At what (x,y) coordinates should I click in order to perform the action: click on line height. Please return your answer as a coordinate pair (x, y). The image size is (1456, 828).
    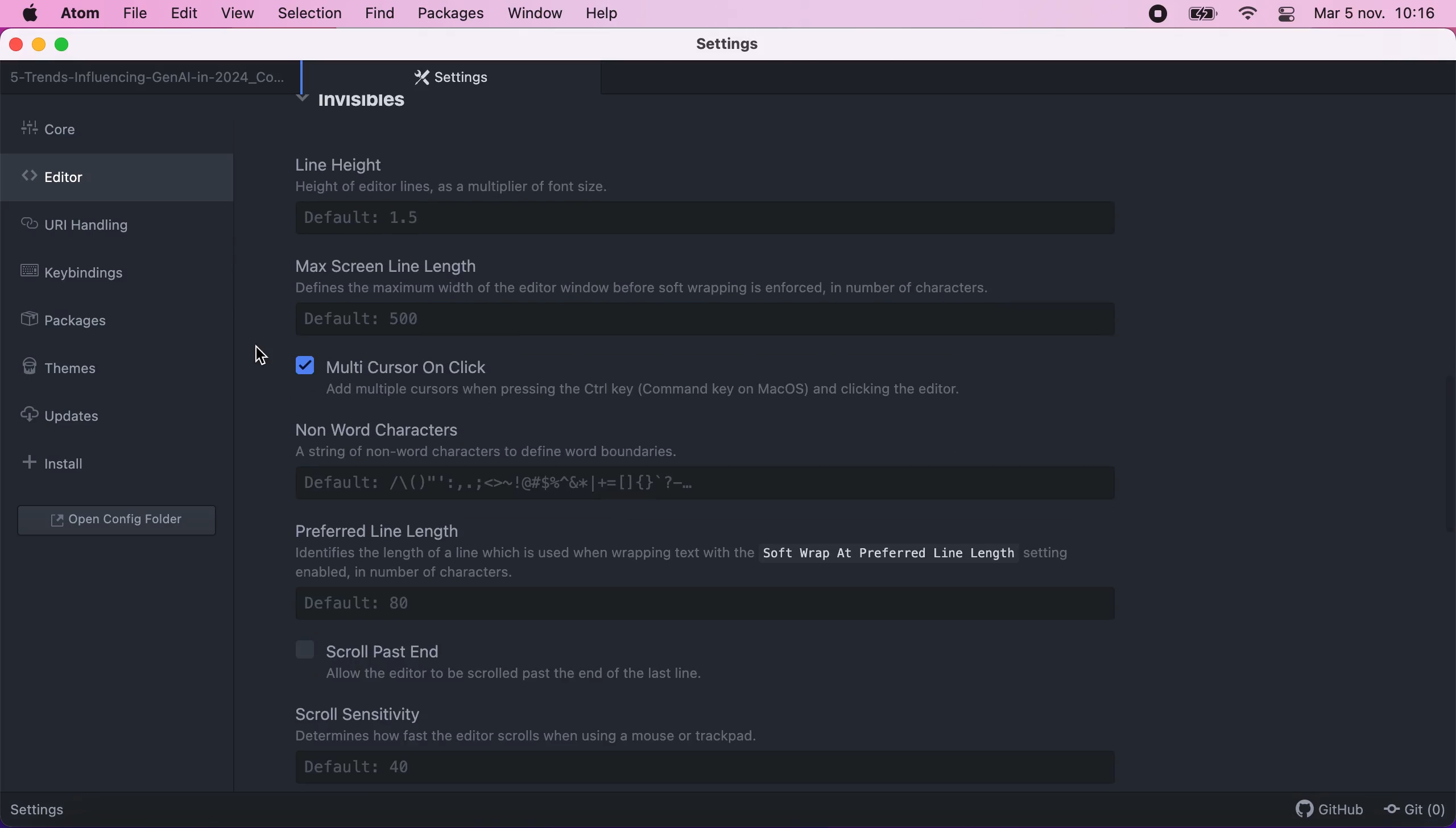
    Looking at the image, I should click on (721, 198).